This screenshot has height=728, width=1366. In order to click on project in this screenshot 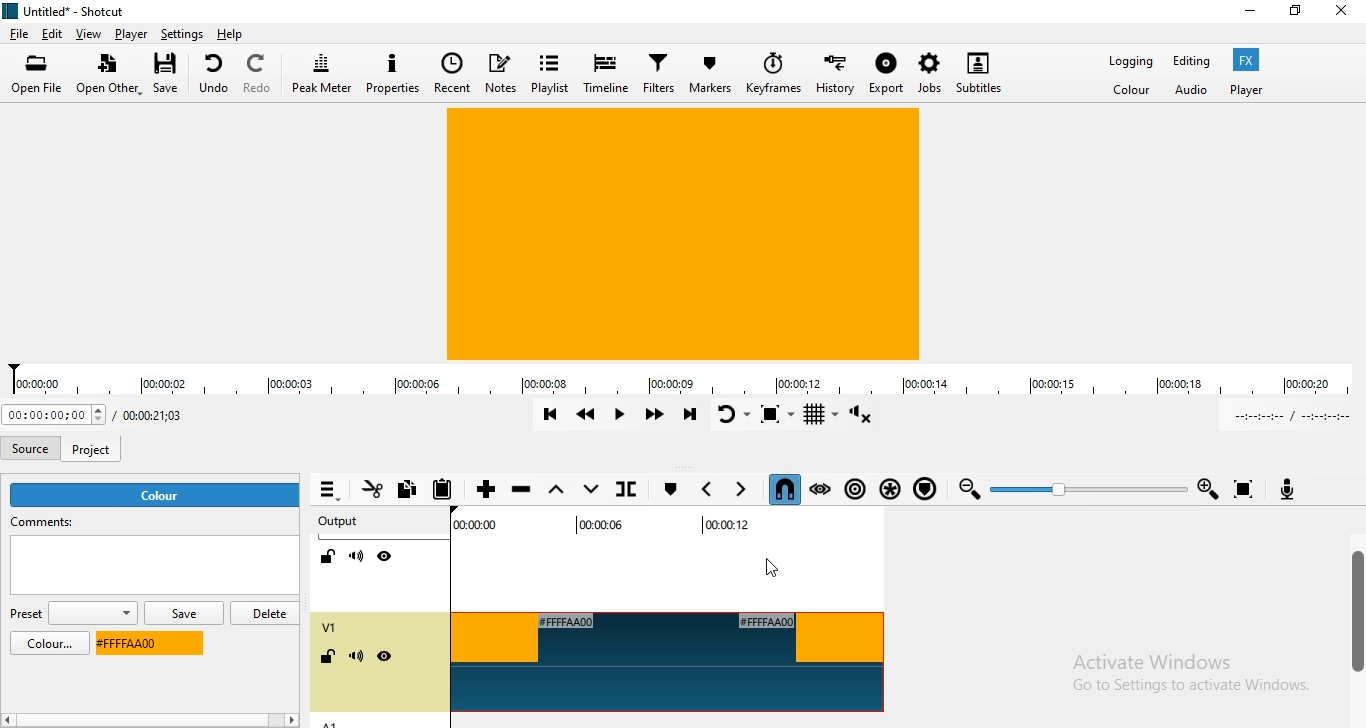, I will do `click(94, 445)`.